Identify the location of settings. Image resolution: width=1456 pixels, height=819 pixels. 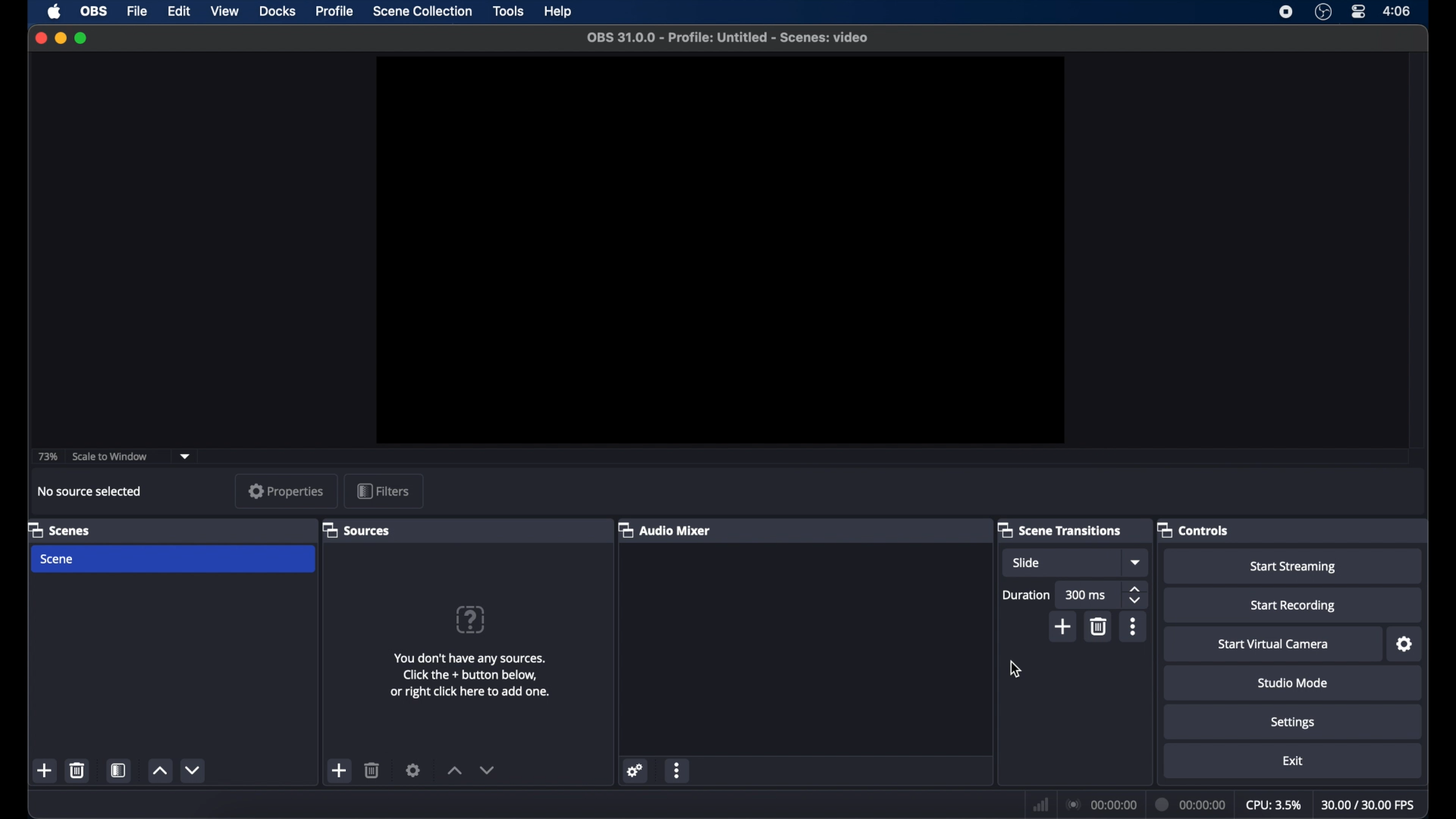
(1292, 723).